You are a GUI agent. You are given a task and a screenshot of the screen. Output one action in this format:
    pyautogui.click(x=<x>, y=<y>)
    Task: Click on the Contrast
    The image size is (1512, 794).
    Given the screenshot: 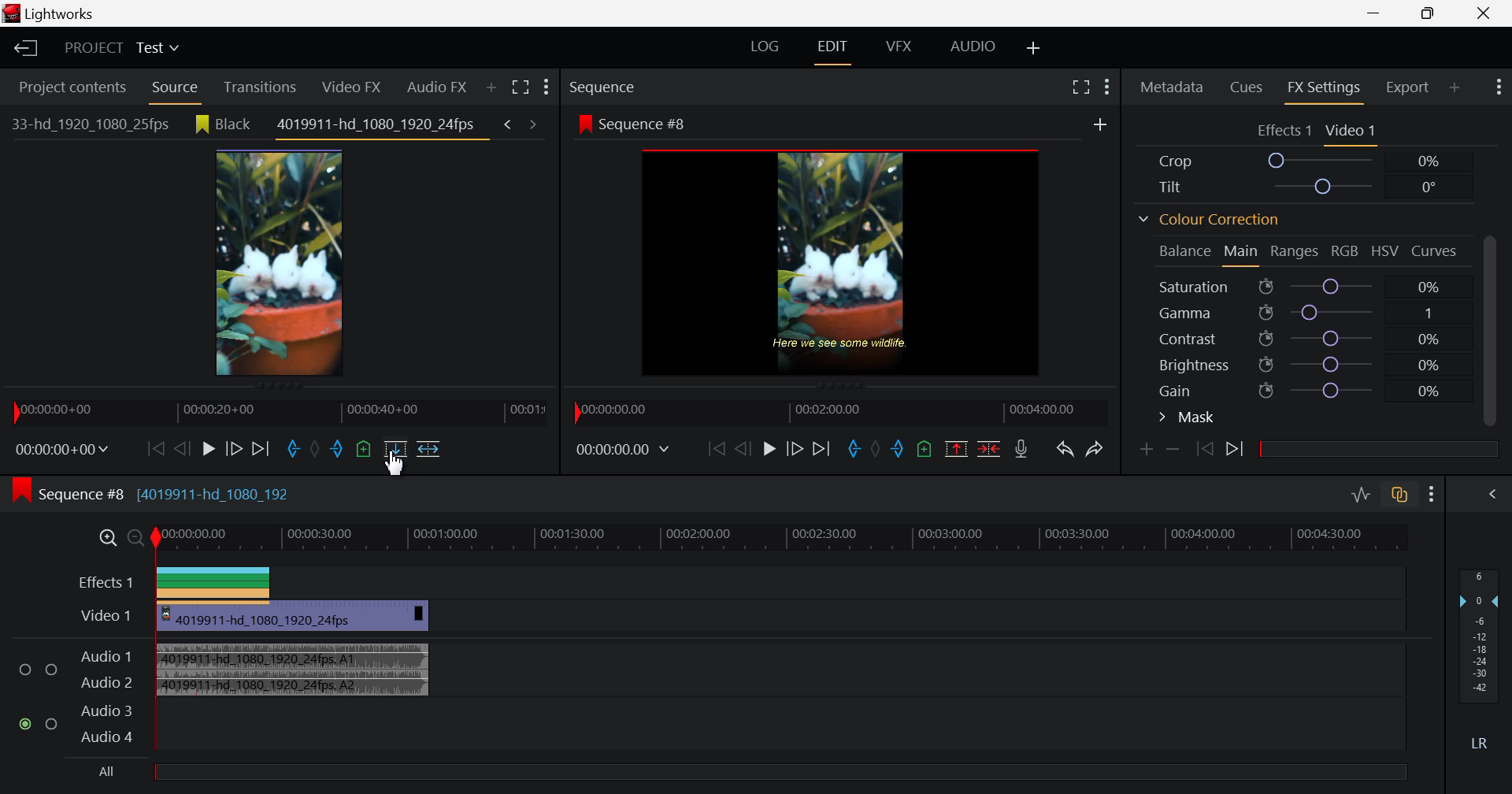 What is the action you would take?
    pyautogui.click(x=1307, y=336)
    